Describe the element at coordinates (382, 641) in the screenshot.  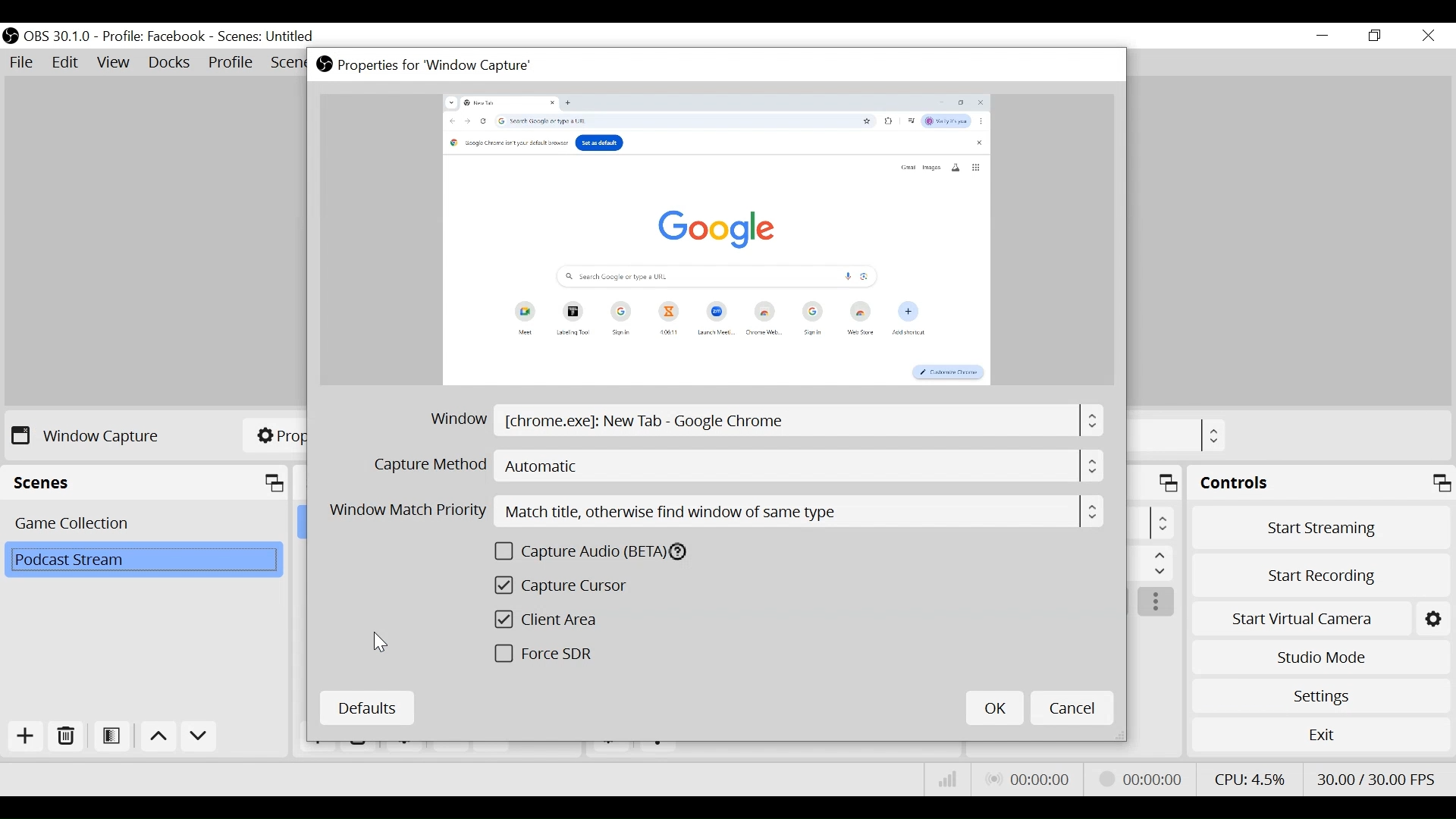
I see `cursor` at that location.